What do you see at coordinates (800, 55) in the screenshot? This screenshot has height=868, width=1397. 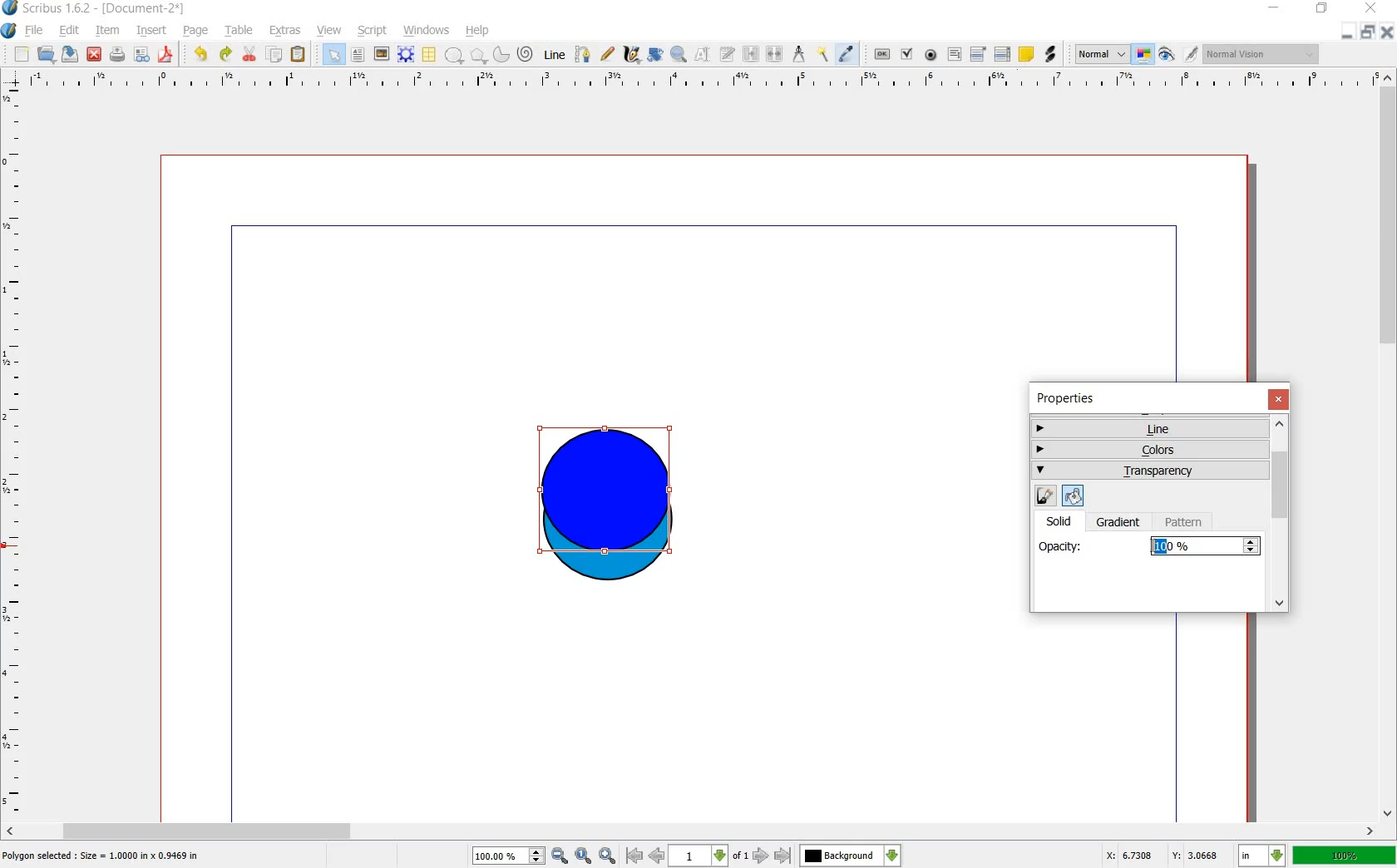 I see `measurement` at bounding box center [800, 55].